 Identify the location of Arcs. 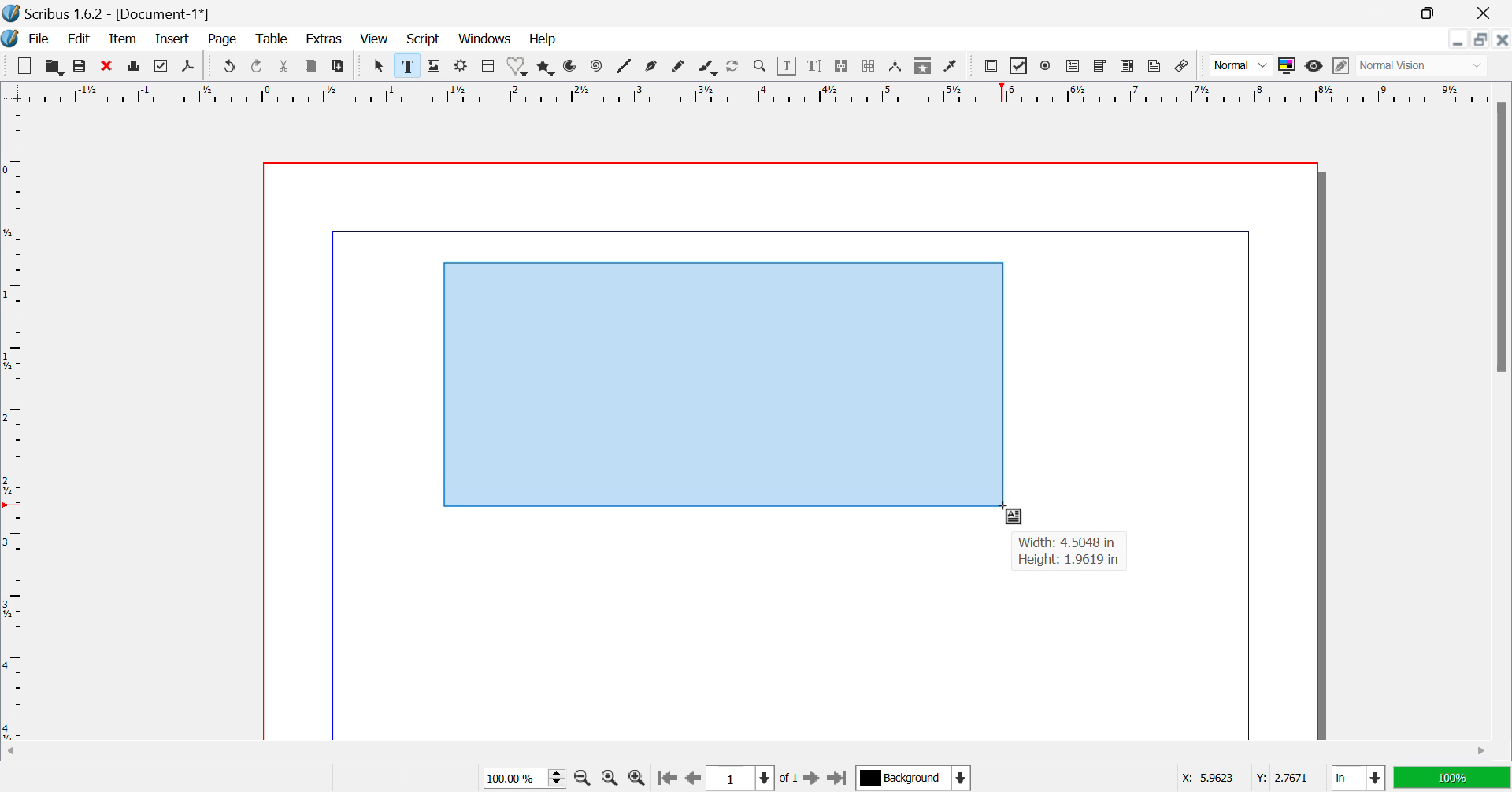
(573, 68).